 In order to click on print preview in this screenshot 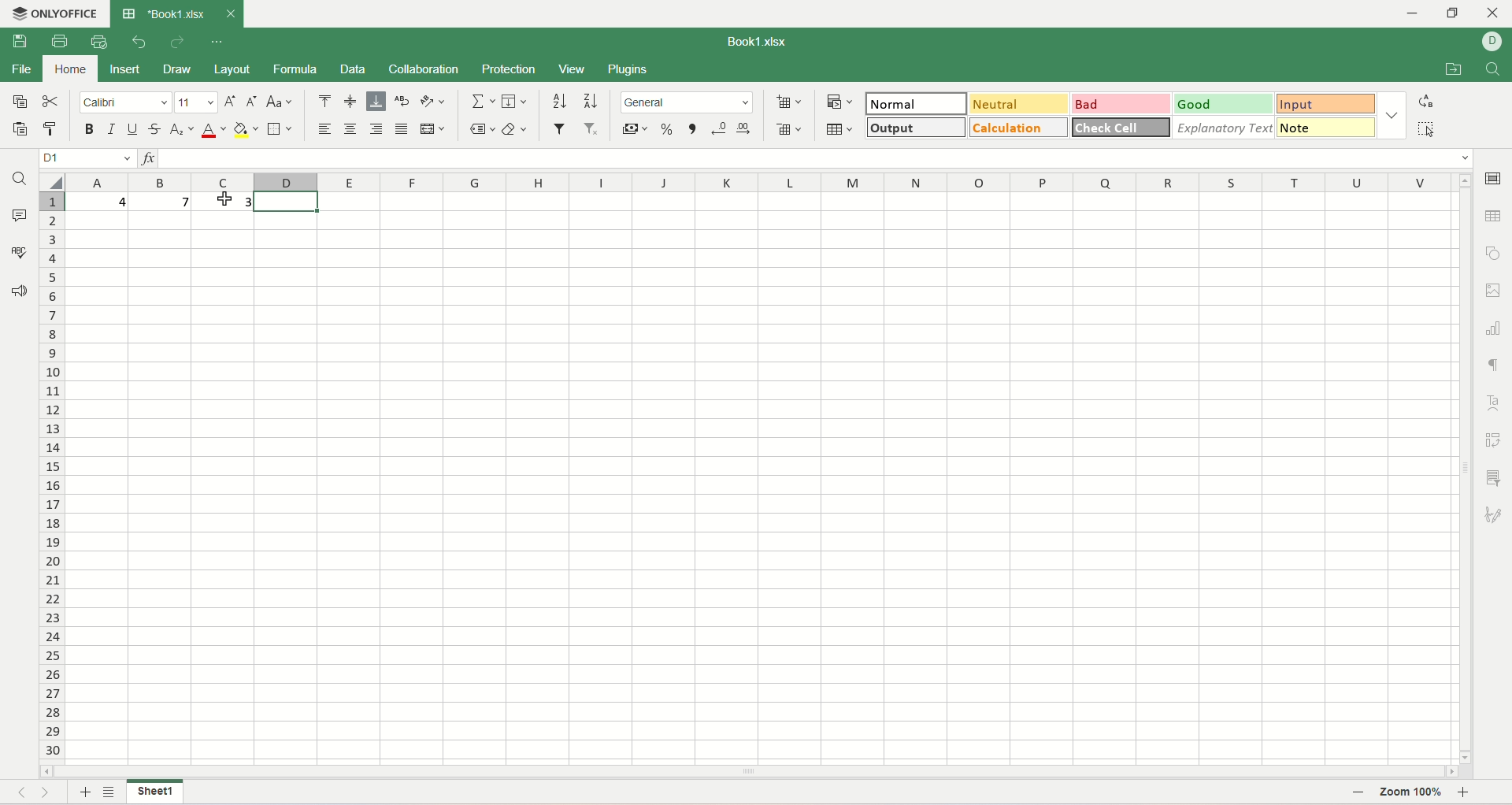, I will do `click(103, 42)`.